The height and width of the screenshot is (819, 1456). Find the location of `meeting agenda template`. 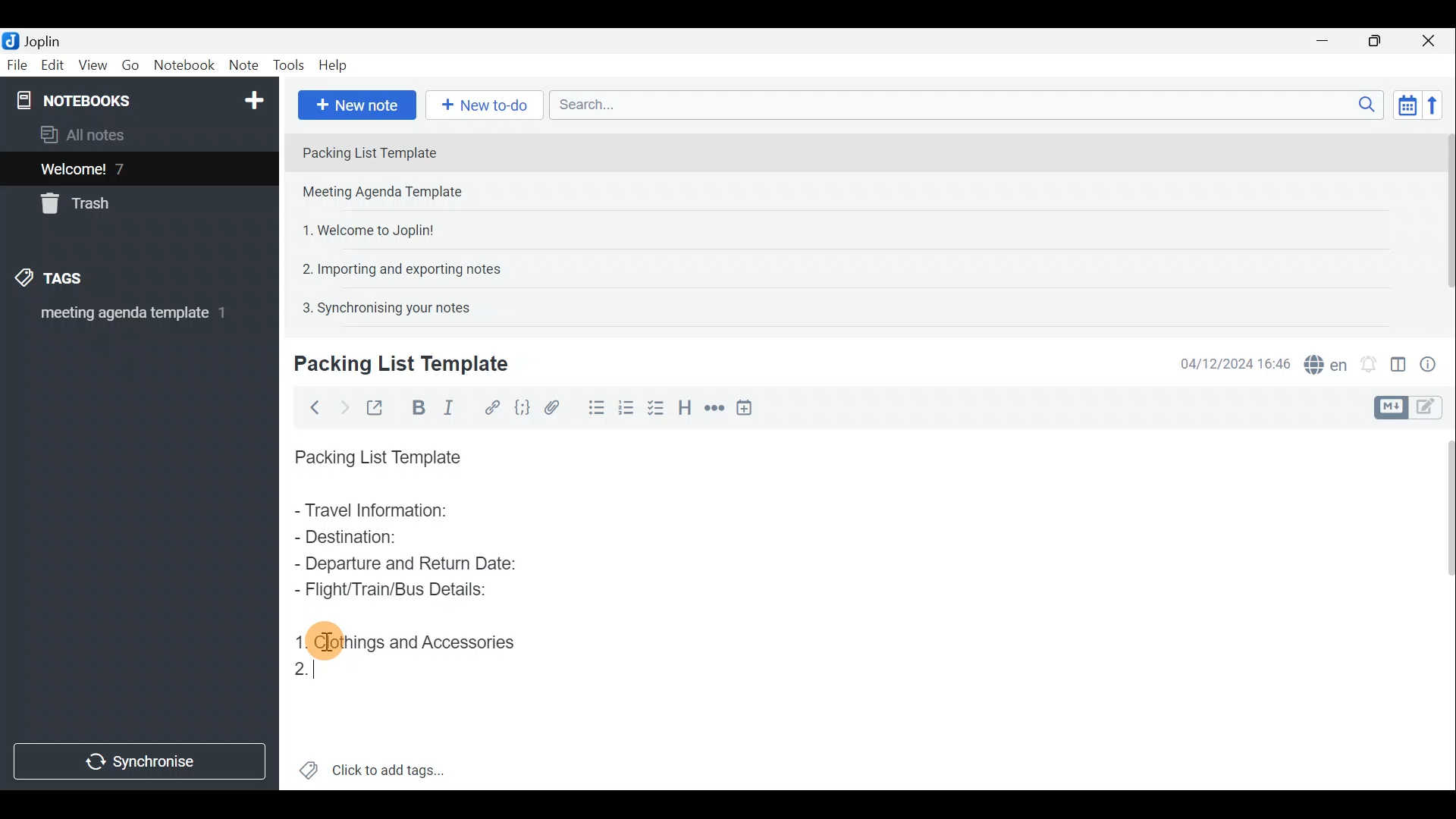

meeting agenda template is located at coordinates (130, 318).